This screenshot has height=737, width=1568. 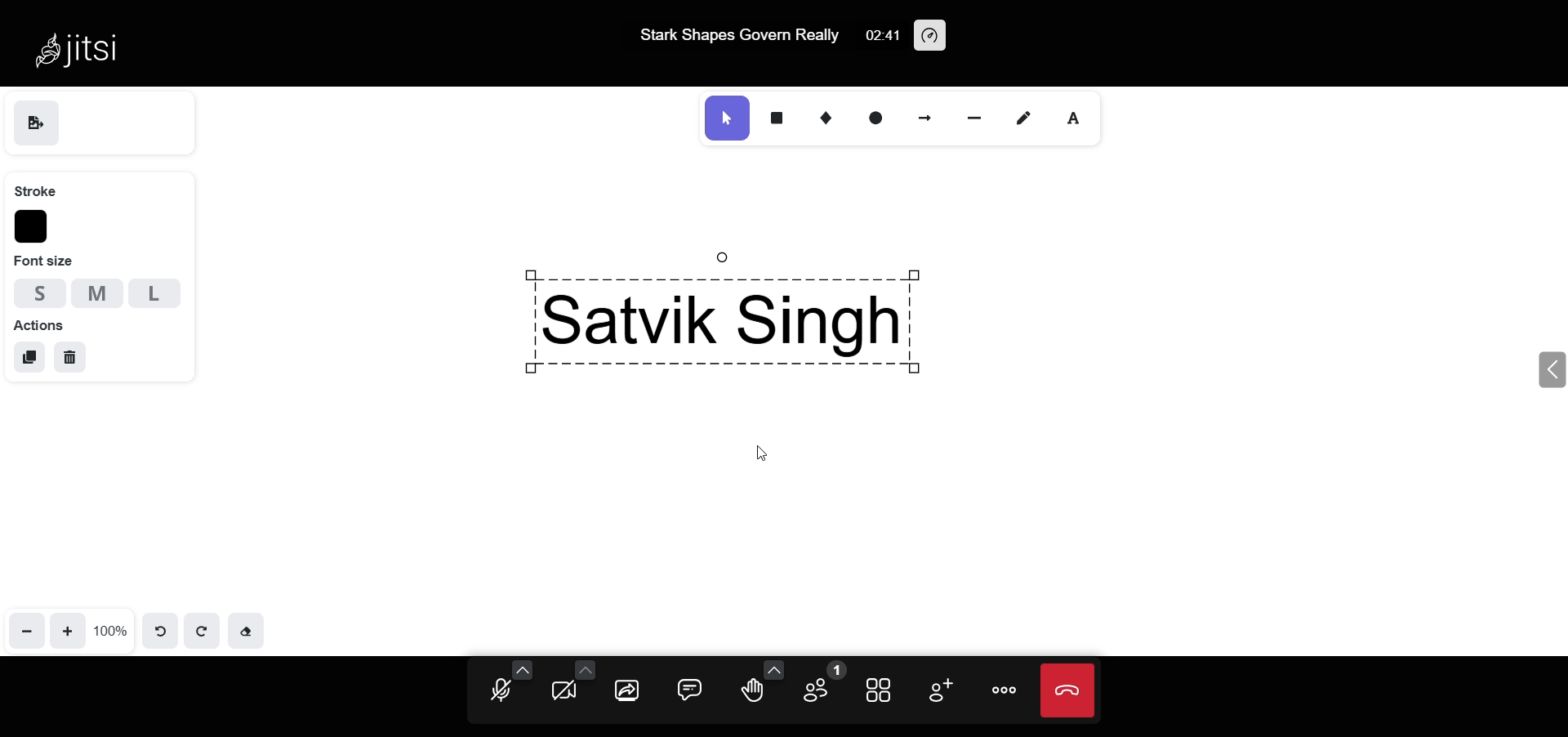 What do you see at coordinates (28, 629) in the screenshot?
I see `zoom out` at bounding box center [28, 629].